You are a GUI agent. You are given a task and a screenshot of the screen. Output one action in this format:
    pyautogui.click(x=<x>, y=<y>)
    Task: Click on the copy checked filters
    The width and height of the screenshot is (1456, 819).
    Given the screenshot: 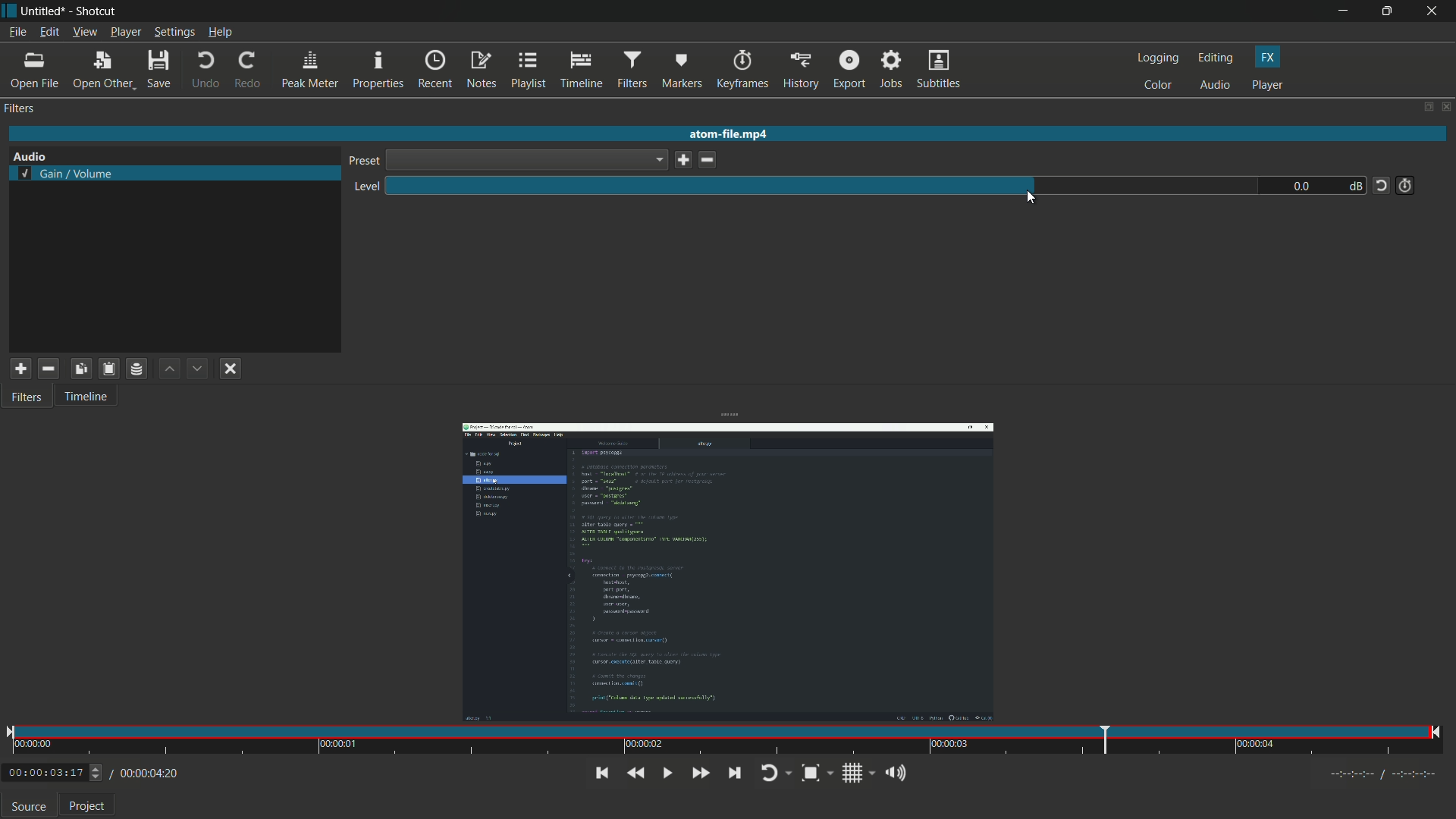 What is the action you would take?
    pyautogui.click(x=81, y=369)
    